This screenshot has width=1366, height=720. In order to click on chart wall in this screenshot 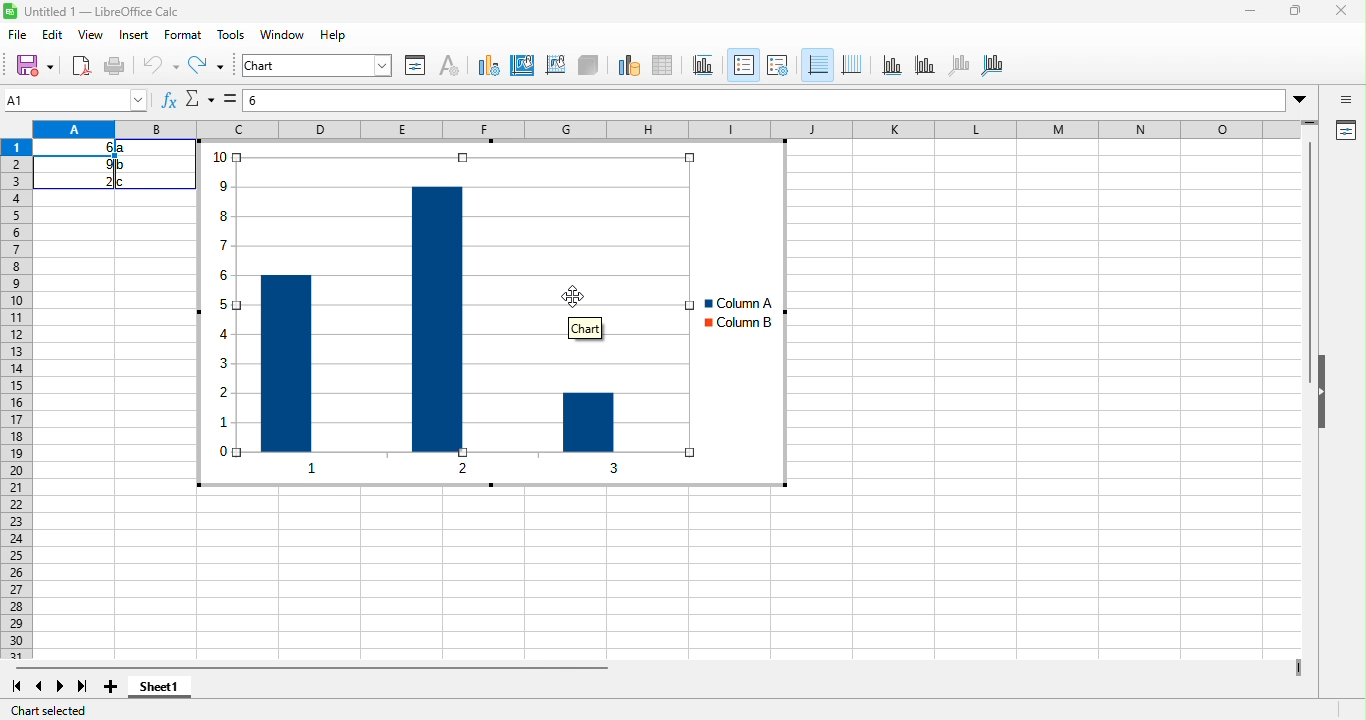, I will do `click(556, 66)`.